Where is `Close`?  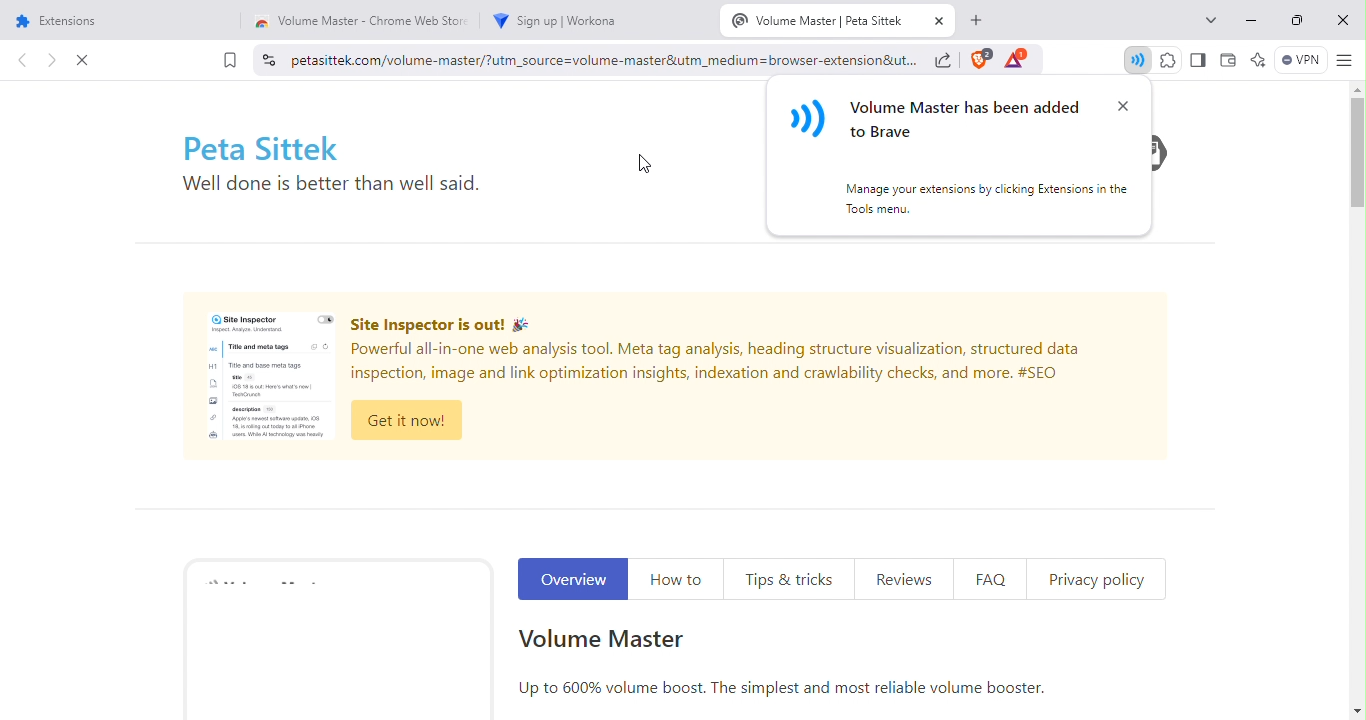 Close is located at coordinates (1122, 103).